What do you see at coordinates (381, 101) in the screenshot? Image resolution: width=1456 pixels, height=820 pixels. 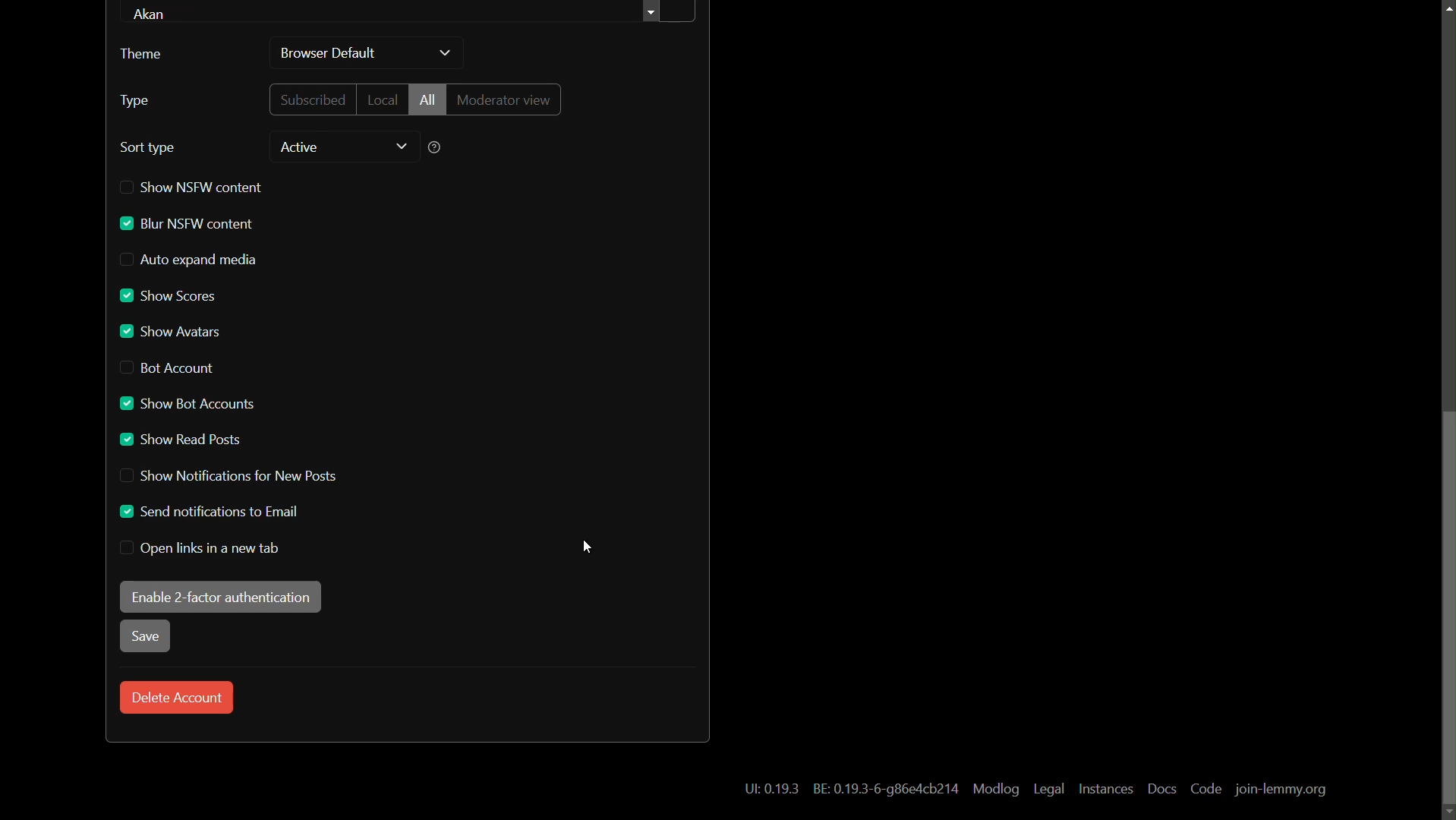 I see `local` at bounding box center [381, 101].